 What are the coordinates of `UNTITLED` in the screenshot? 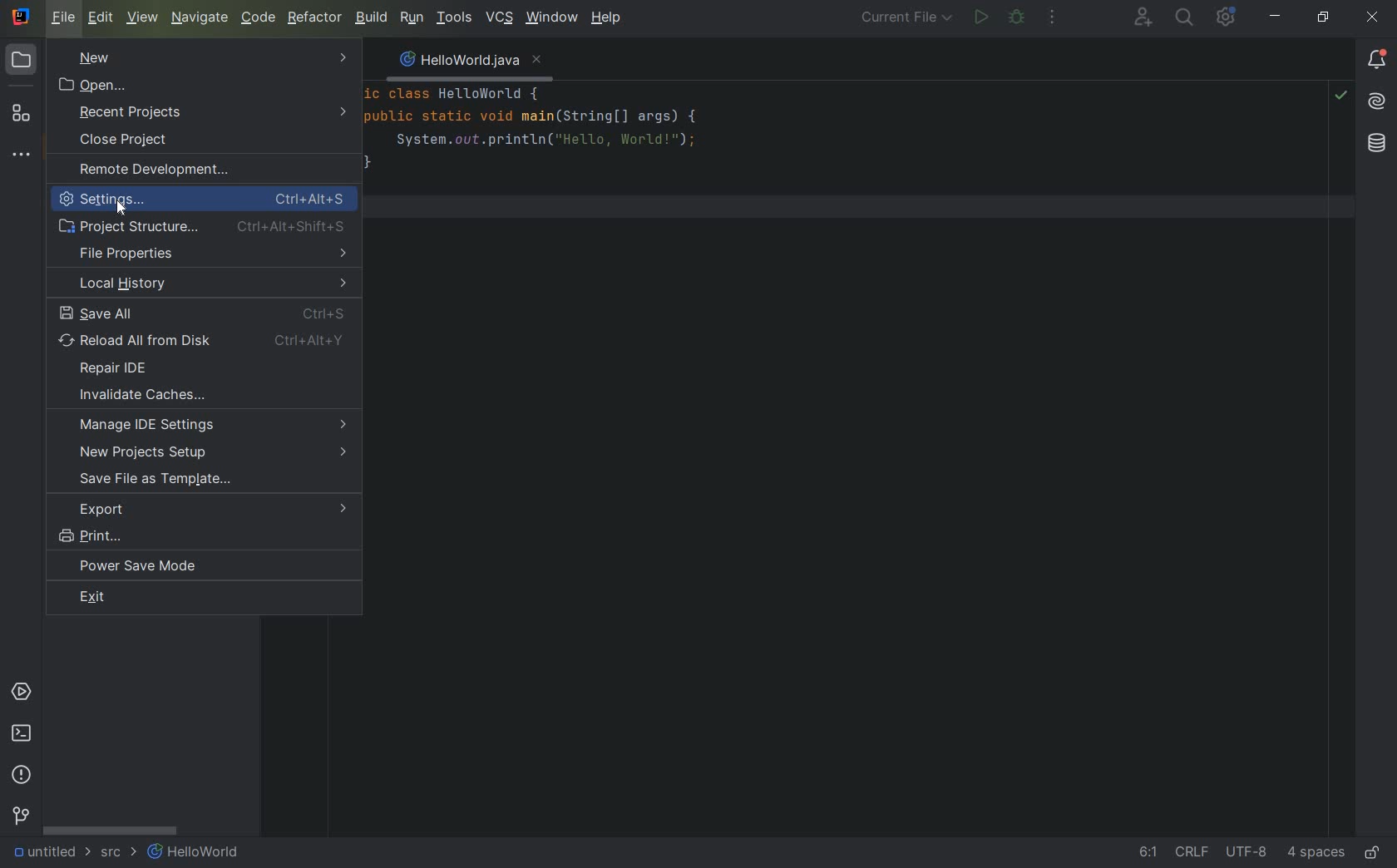 It's located at (50, 853).